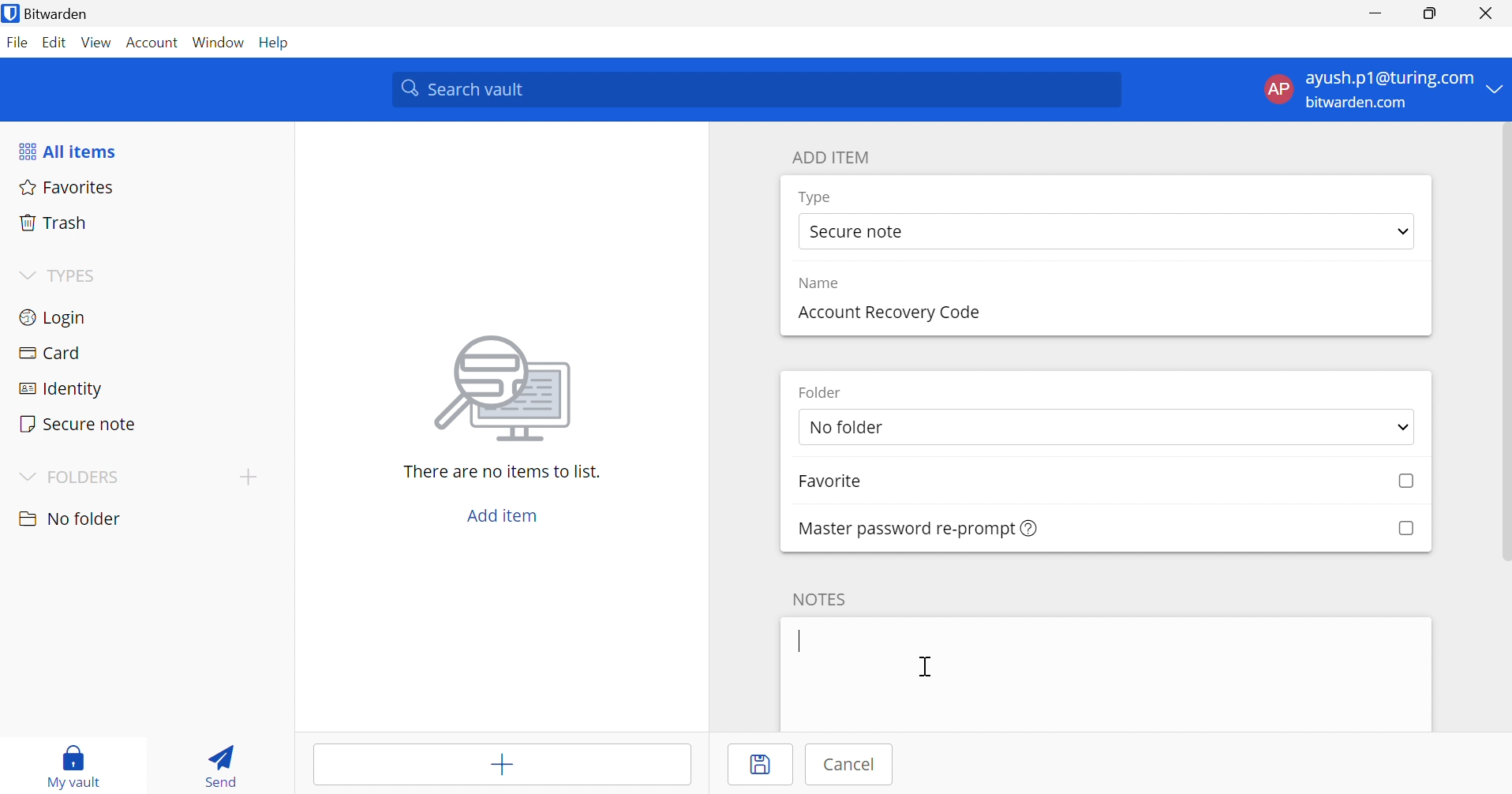  Describe the element at coordinates (76, 277) in the screenshot. I see `TYPES` at that location.